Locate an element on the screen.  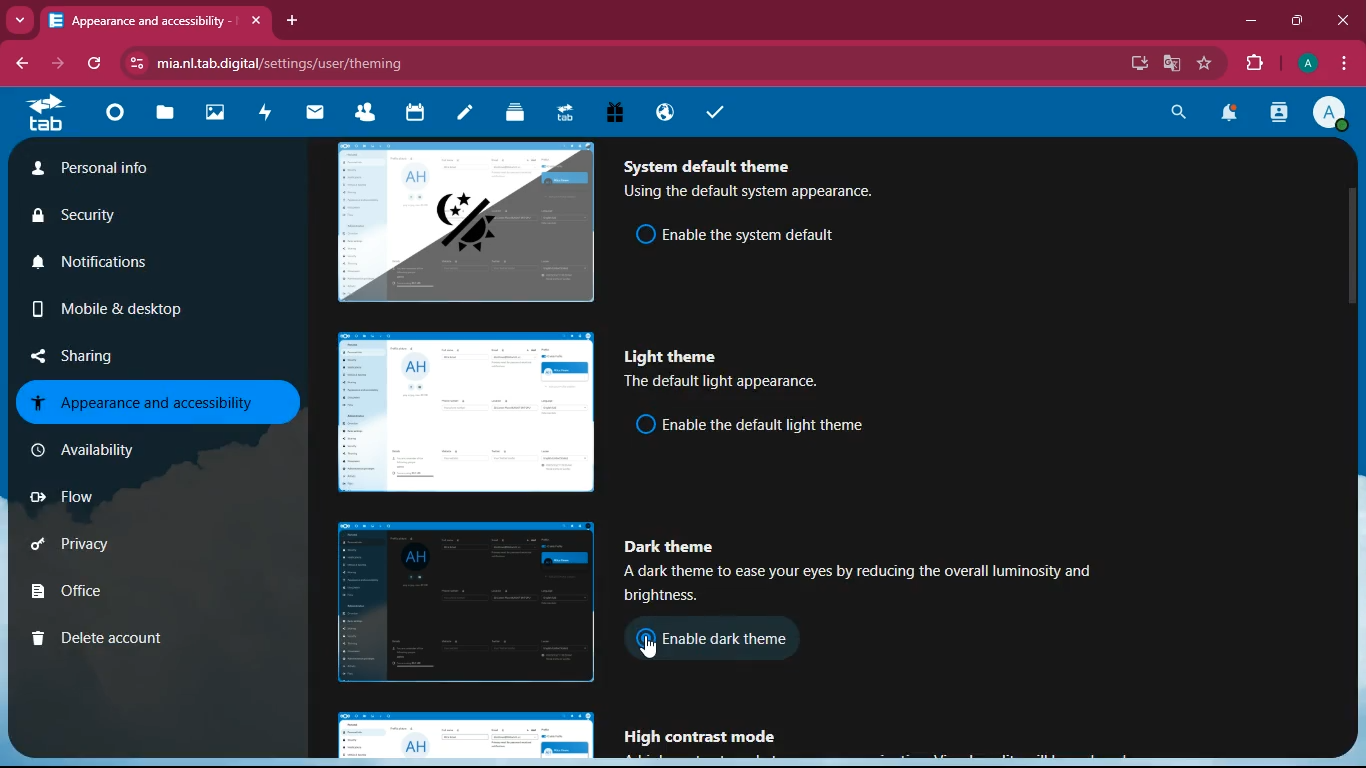
profile is located at coordinates (1335, 115).